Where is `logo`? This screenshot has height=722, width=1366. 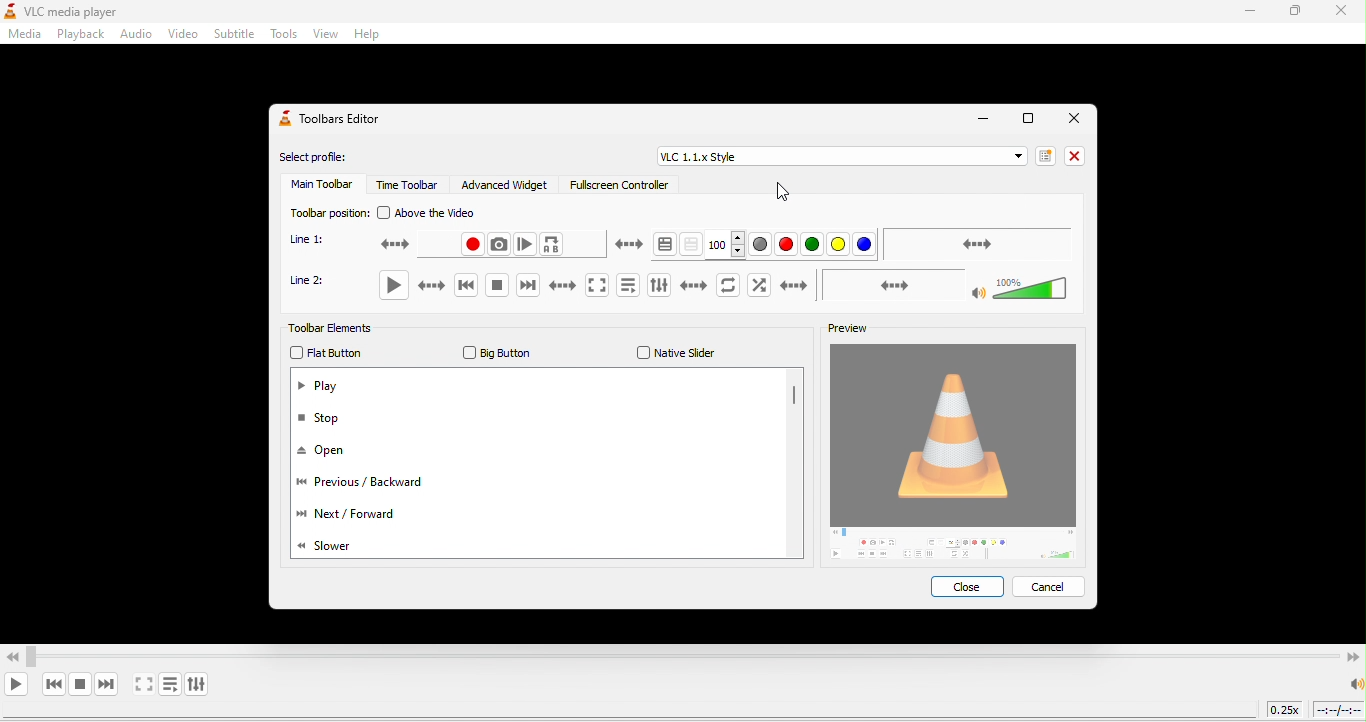
logo is located at coordinates (9, 12).